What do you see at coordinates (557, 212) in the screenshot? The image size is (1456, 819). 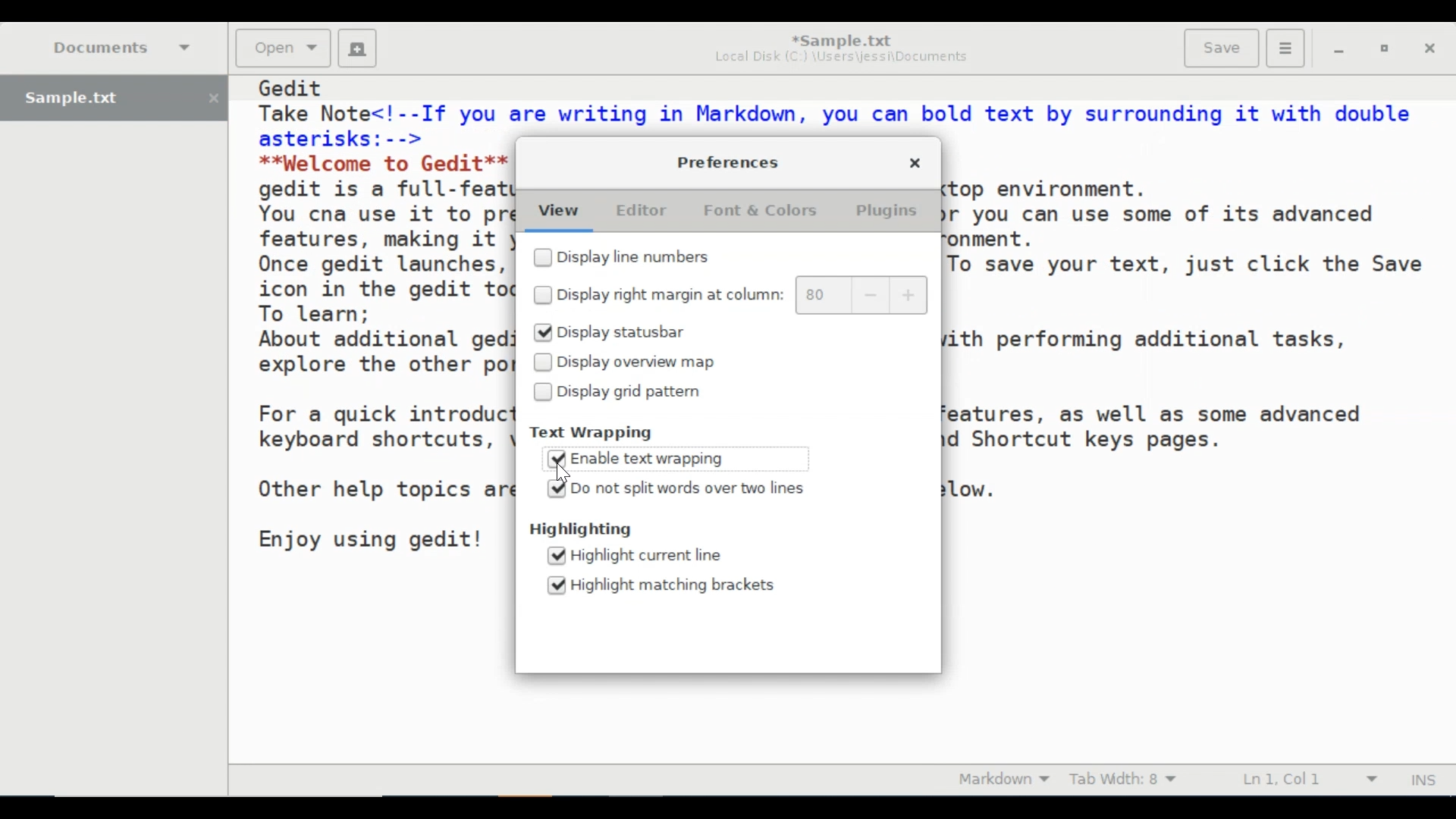 I see `View` at bounding box center [557, 212].